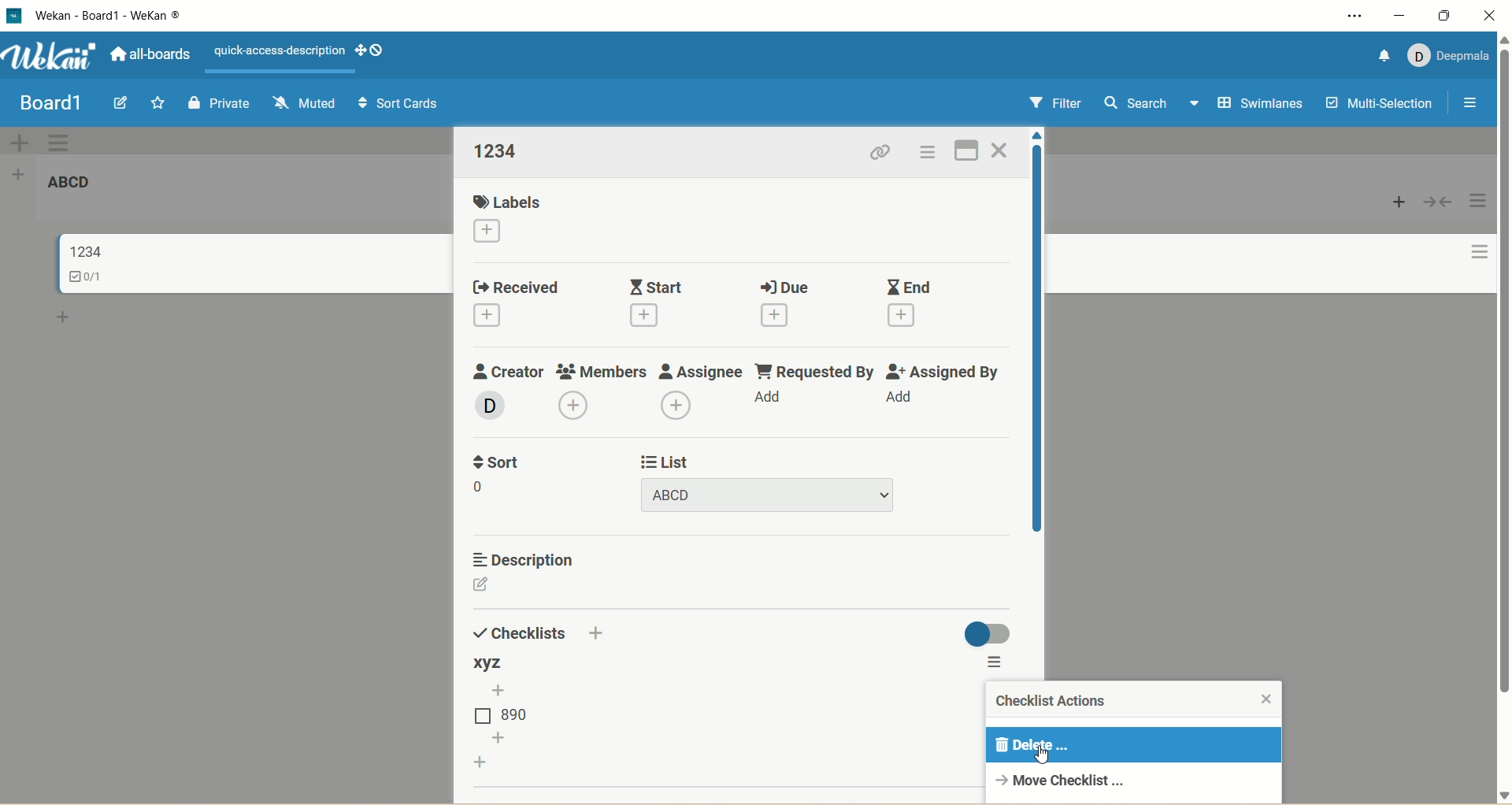  I want to click on number, so click(489, 488).